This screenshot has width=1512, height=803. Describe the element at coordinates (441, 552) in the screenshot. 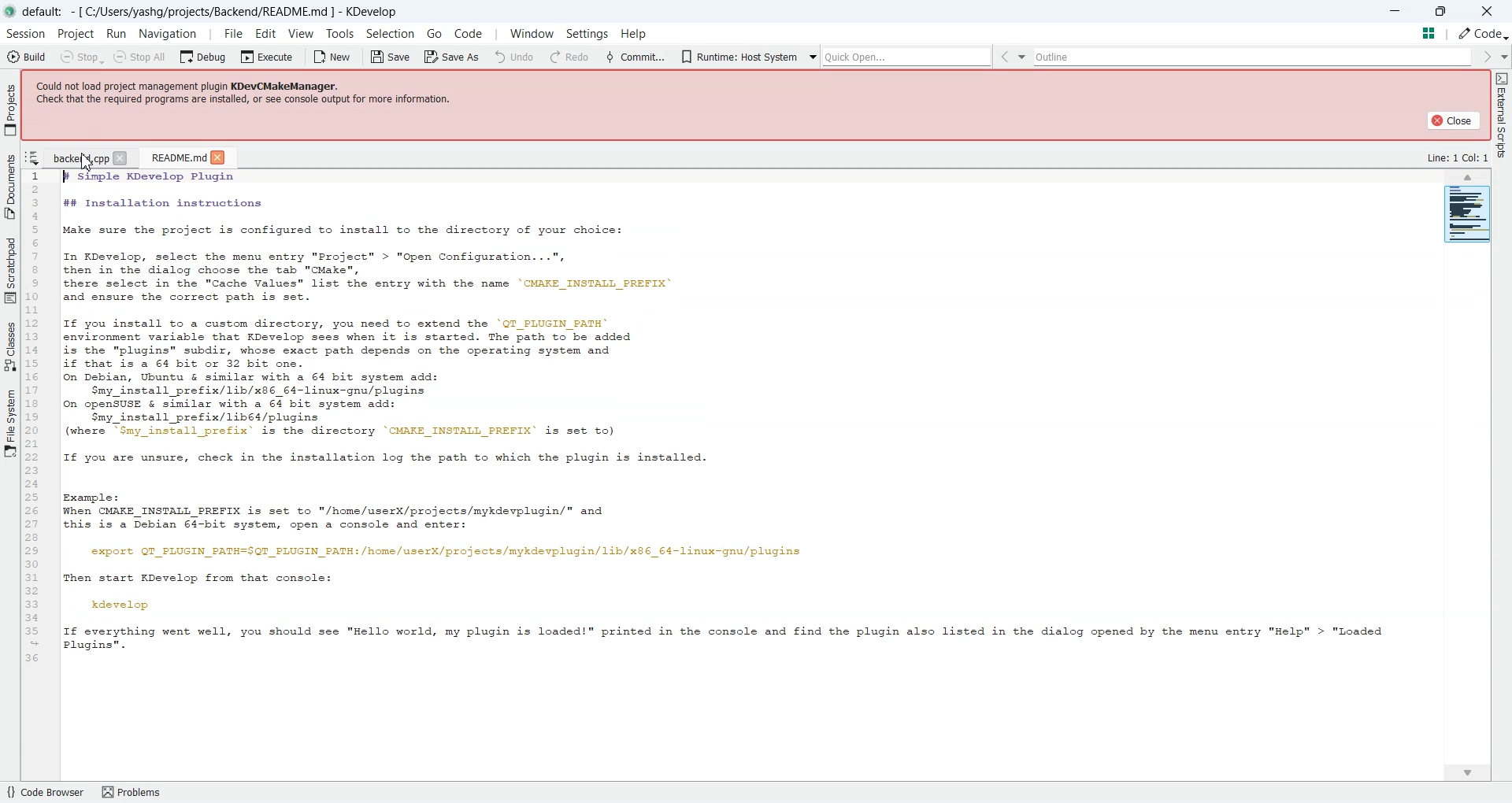

I see `export QT PLUGIN PATH=SQT_ PLUGIN PATH:/home/userX/projects/mykdevplugin/lib/x86_€4-linux-gnu/plugins` at that location.